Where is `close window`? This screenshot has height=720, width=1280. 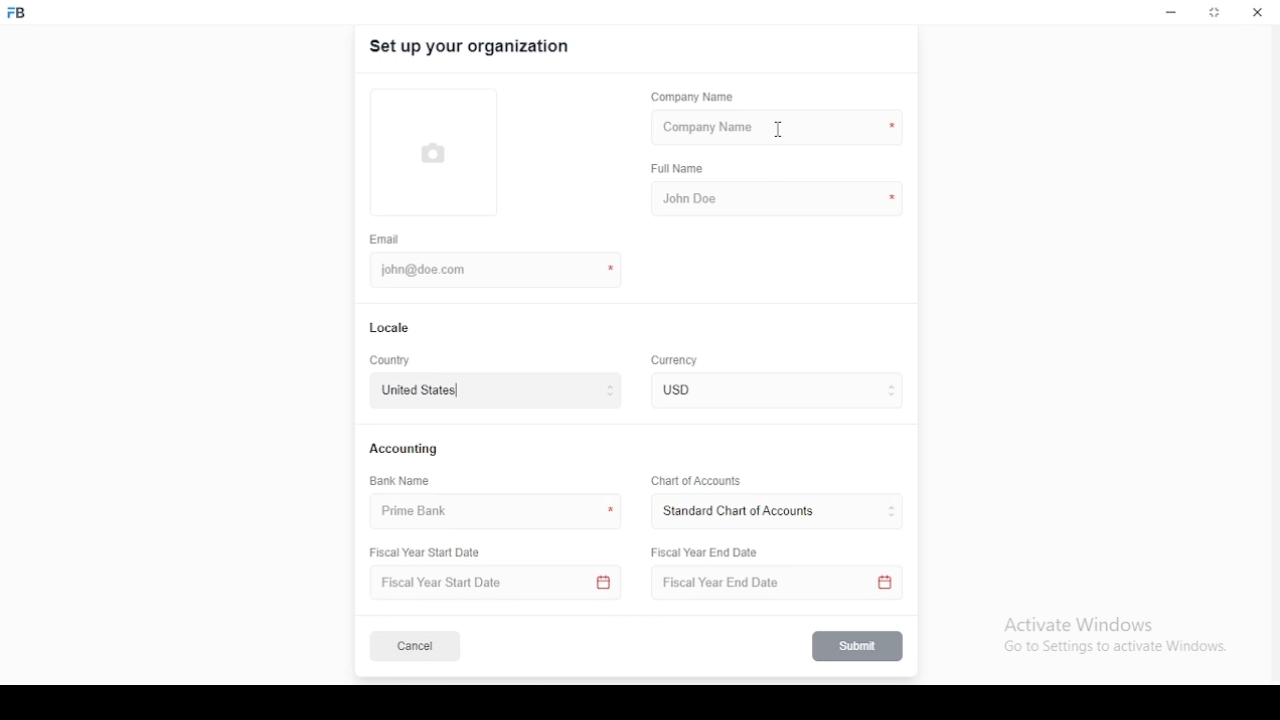 close window is located at coordinates (1255, 12).